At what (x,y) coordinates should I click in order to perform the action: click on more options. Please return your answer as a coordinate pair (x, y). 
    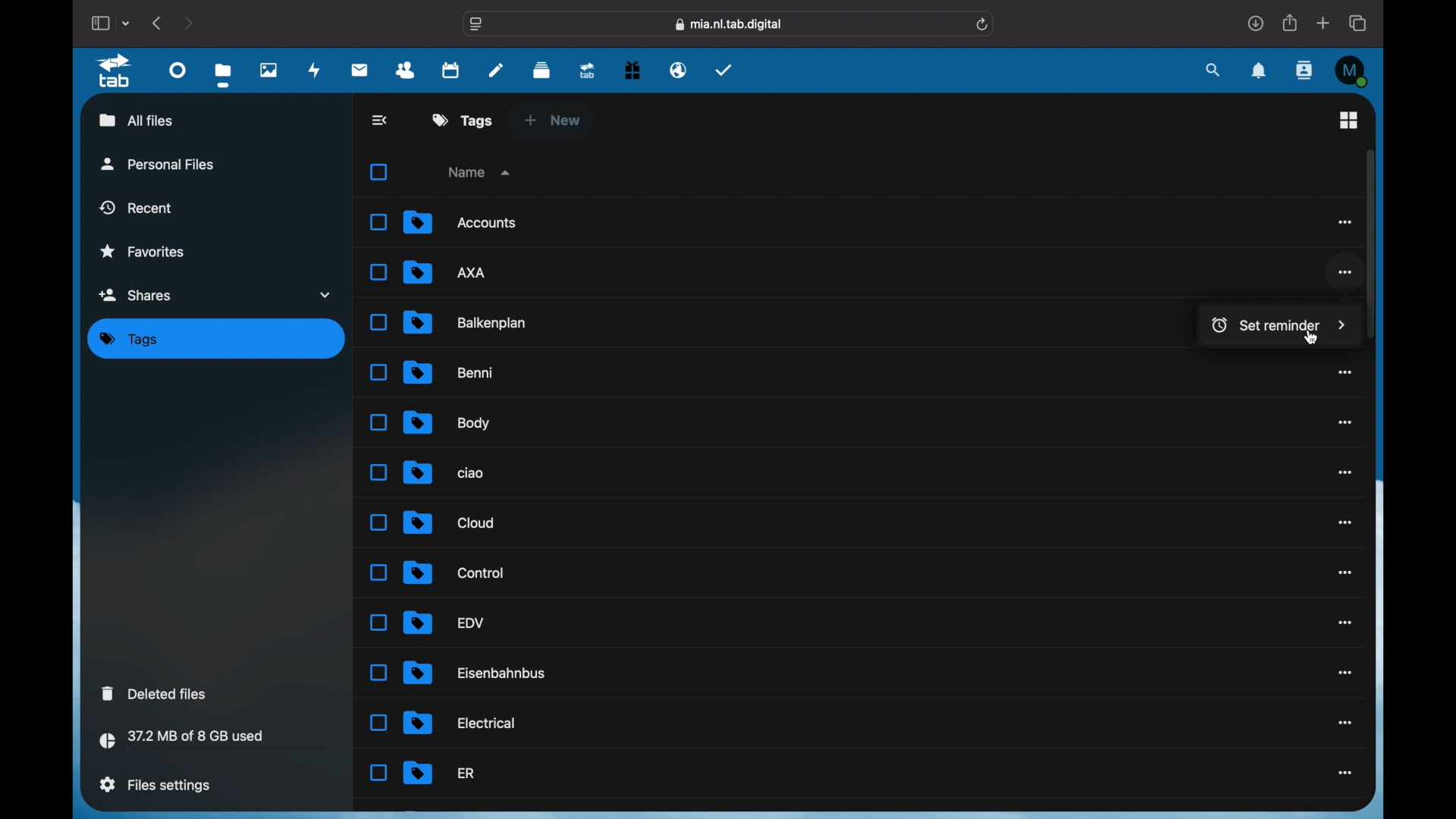
    Looking at the image, I should click on (1346, 572).